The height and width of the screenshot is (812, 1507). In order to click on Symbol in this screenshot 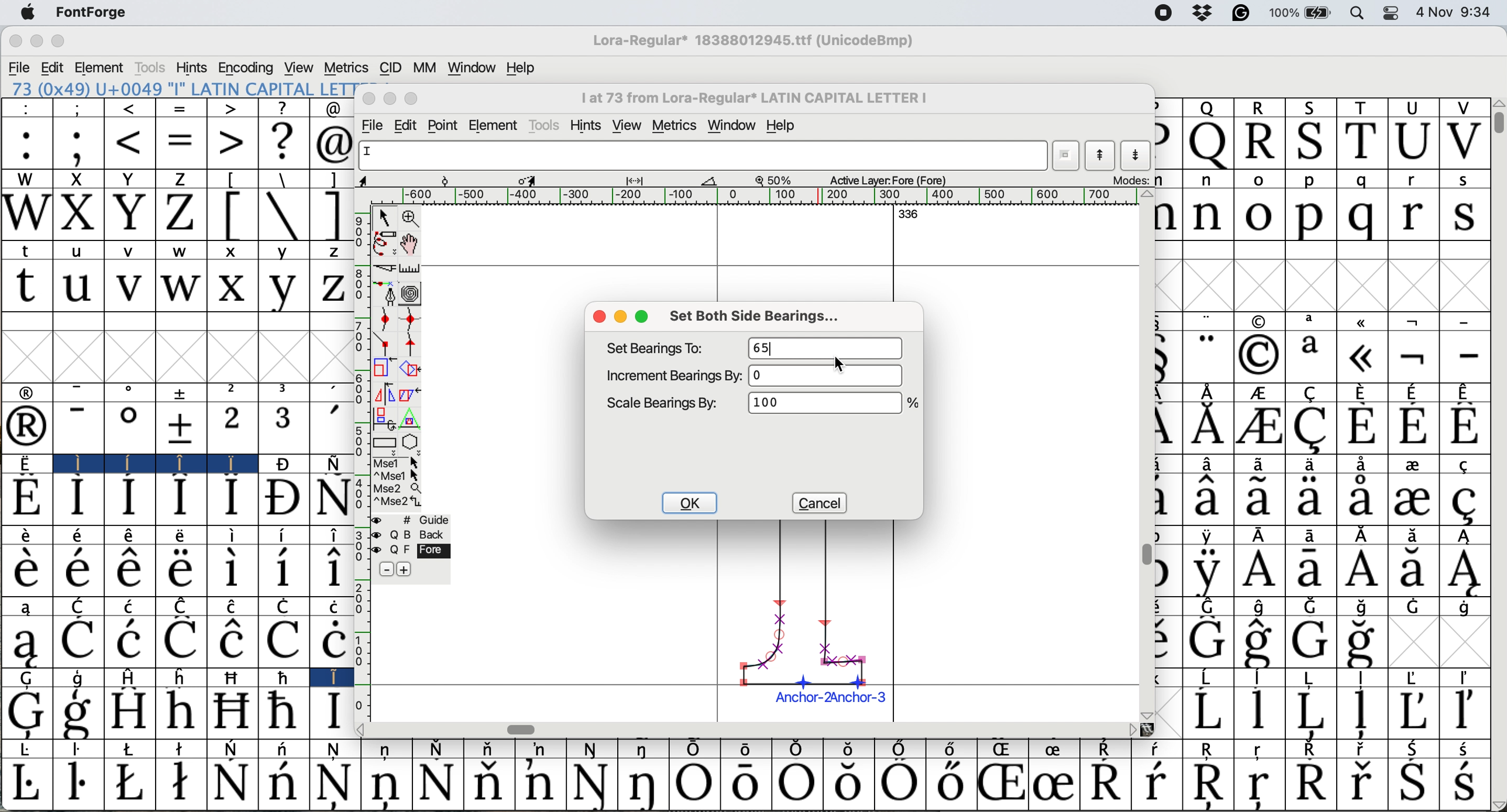, I will do `click(1361, 713)`.